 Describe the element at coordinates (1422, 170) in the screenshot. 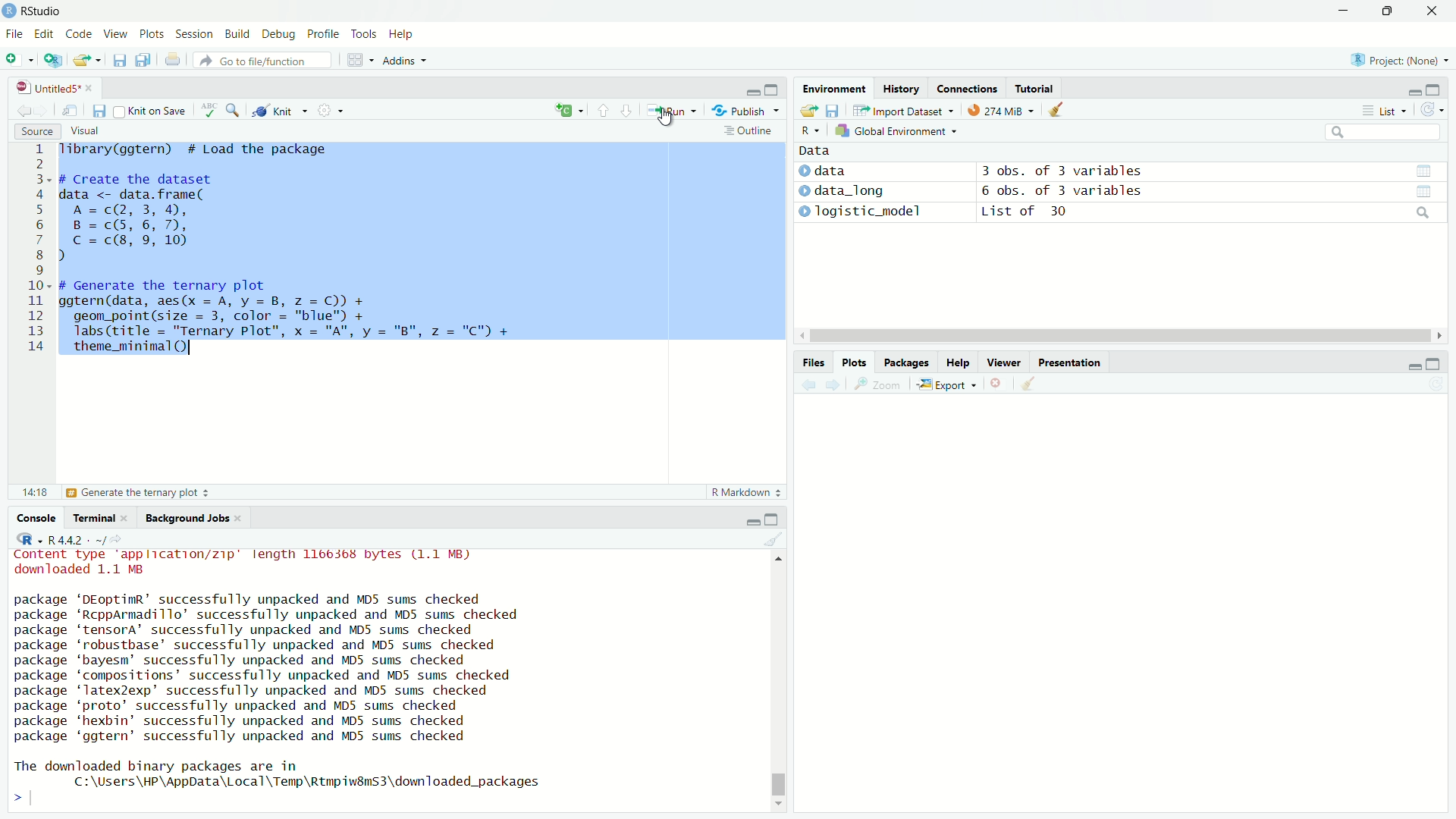

I see `view` at that location.